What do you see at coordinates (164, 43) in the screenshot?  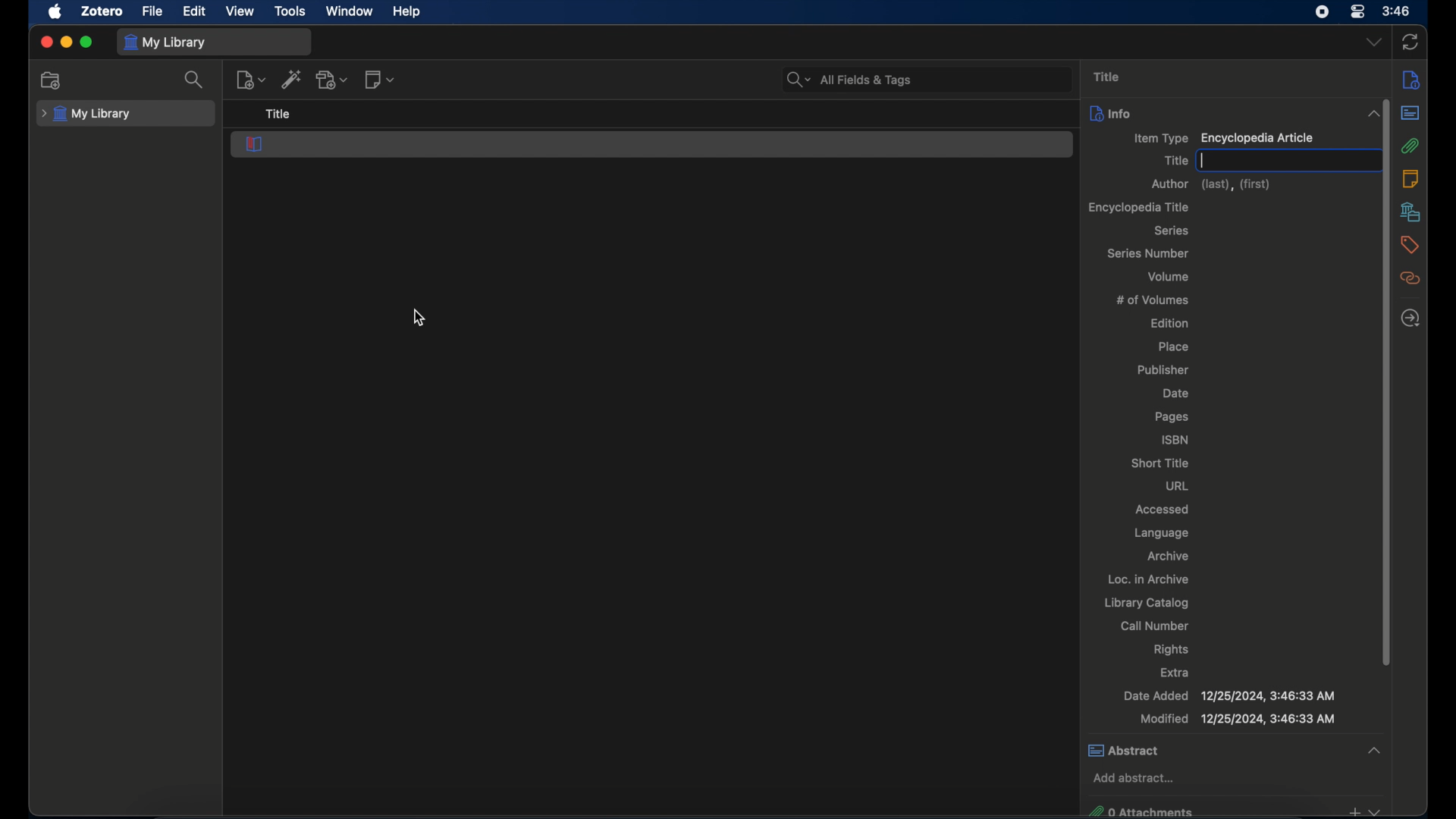 I see `my library` at bounding box center [164, 43].